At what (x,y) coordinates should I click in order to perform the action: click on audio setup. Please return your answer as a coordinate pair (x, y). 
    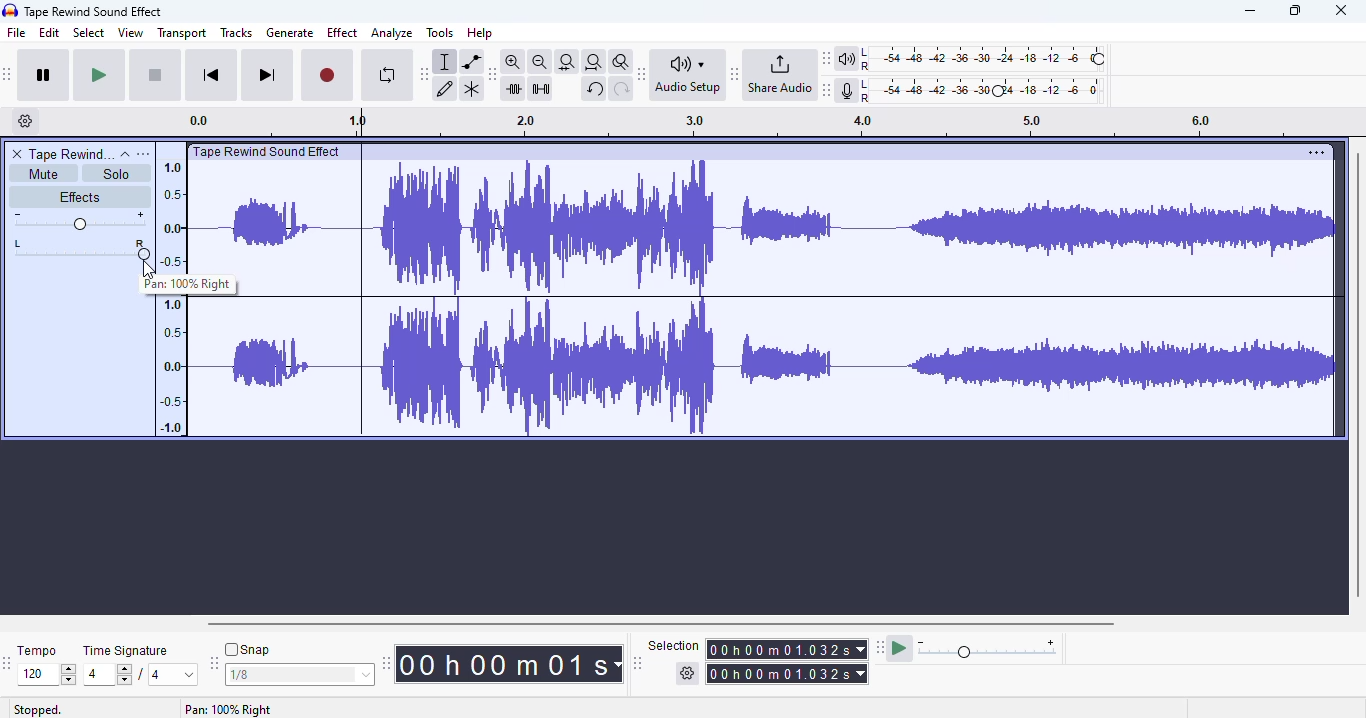
    Looking at the image, I should click on (691, 75).